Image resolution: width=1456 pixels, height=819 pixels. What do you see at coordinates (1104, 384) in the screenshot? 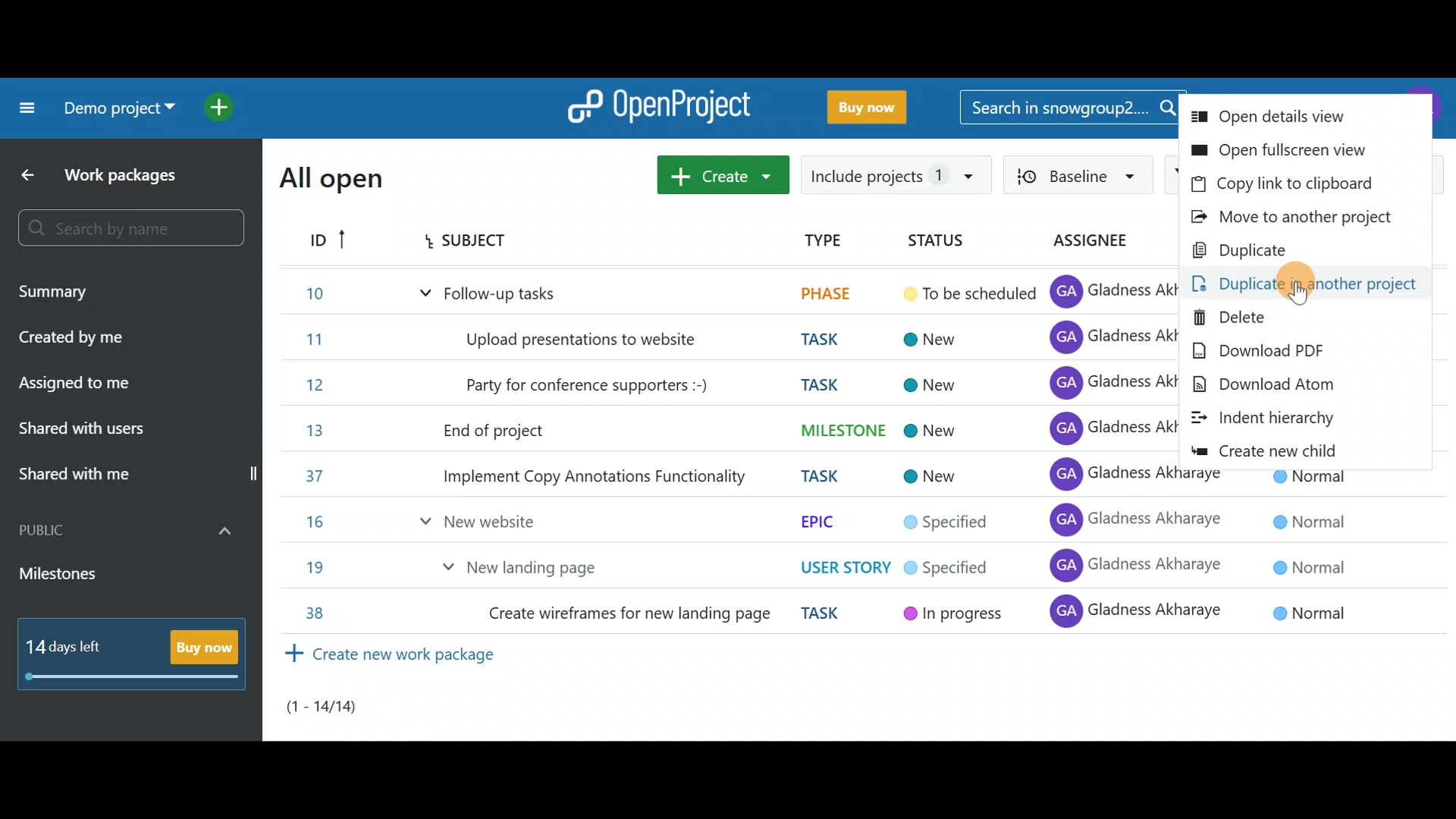
I see `GA Gladness Akharaye` at bounding box center [1104, 384].